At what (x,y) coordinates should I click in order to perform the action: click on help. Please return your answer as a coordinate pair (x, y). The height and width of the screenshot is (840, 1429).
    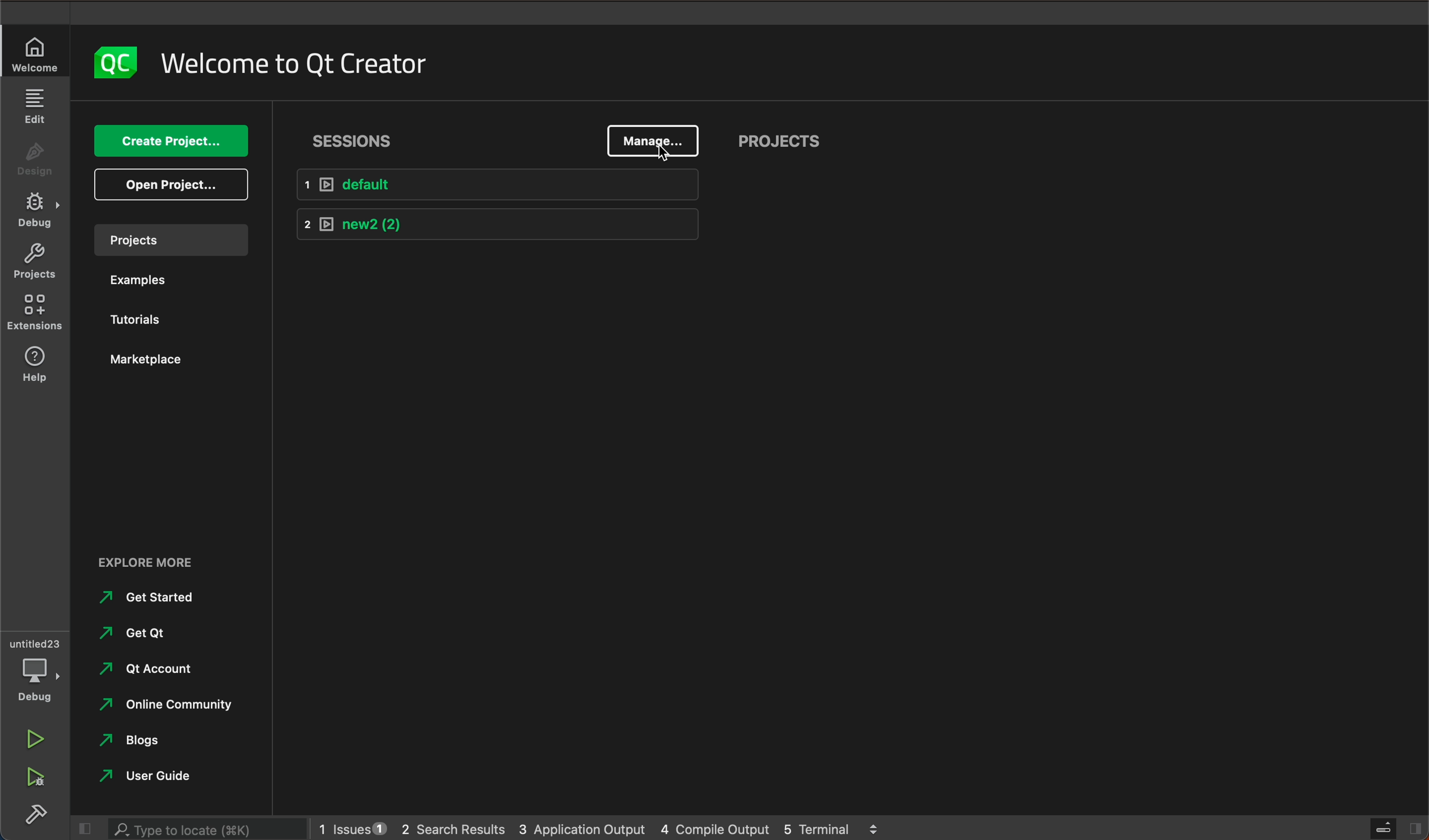
    Looking at the image, I should click on (38, 366).